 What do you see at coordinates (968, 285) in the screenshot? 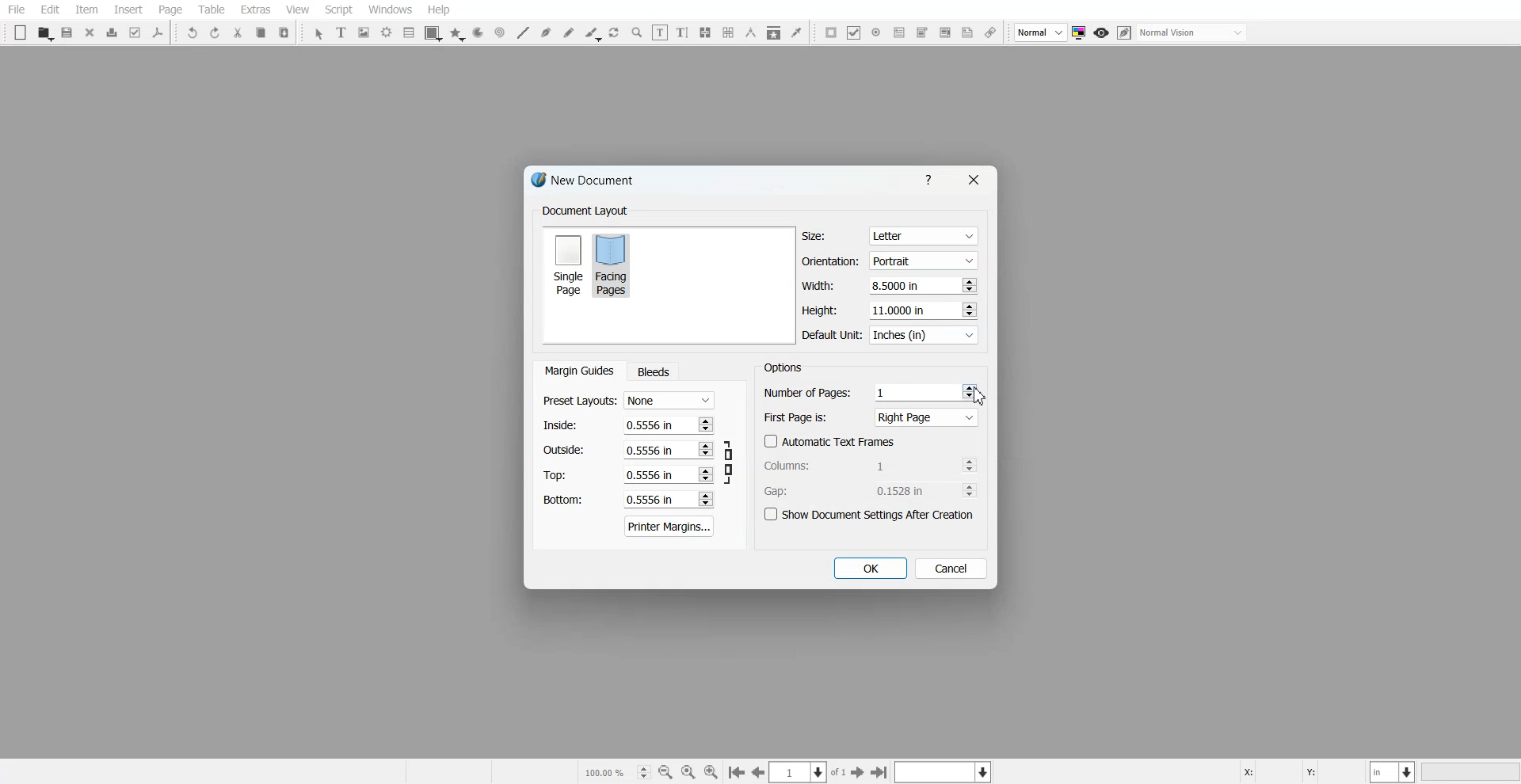
I see `Increase and decrease No. ` at bounding box center [968, 285].